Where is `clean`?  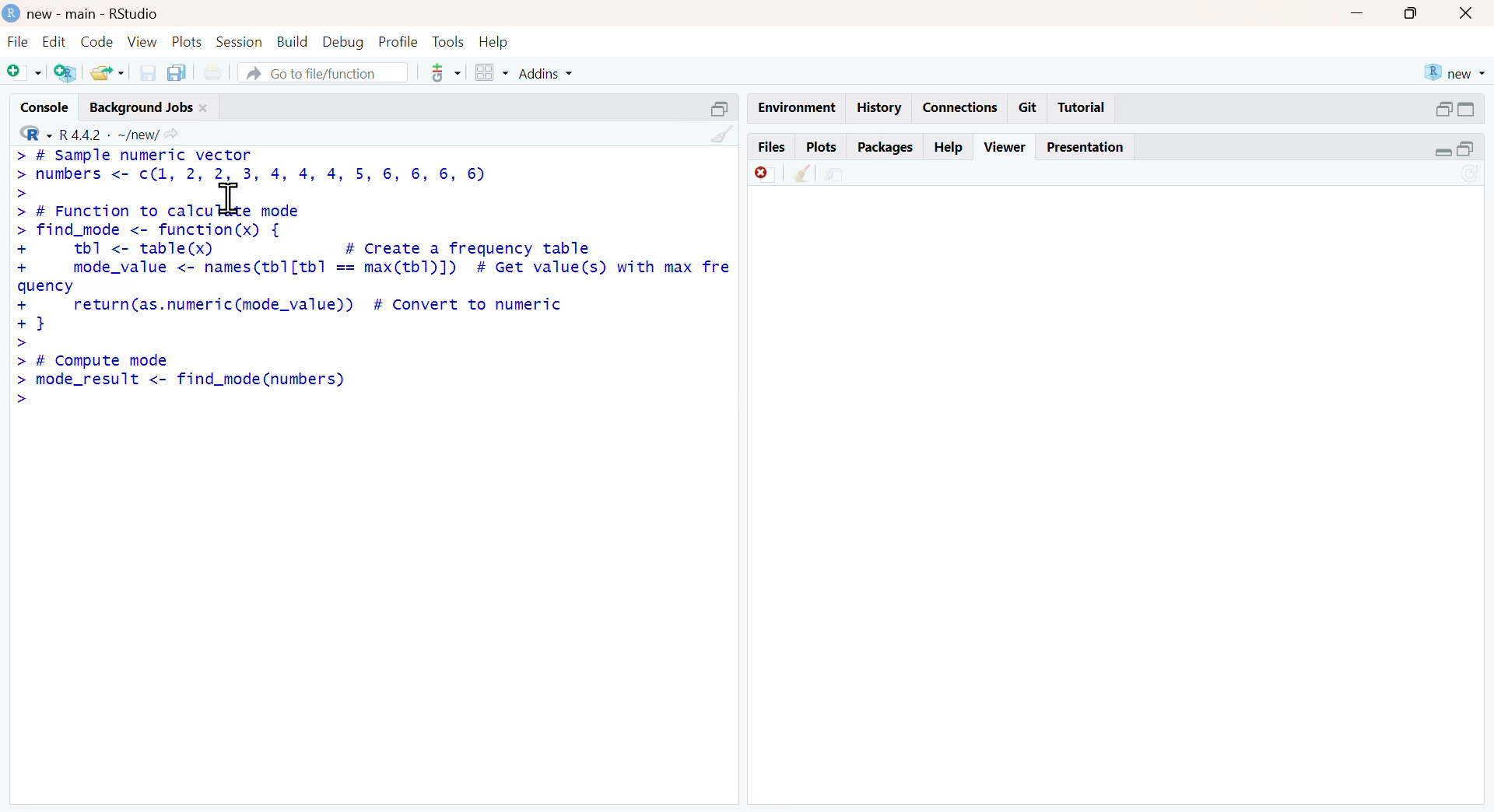
clean is located at coordinates (724, 134).